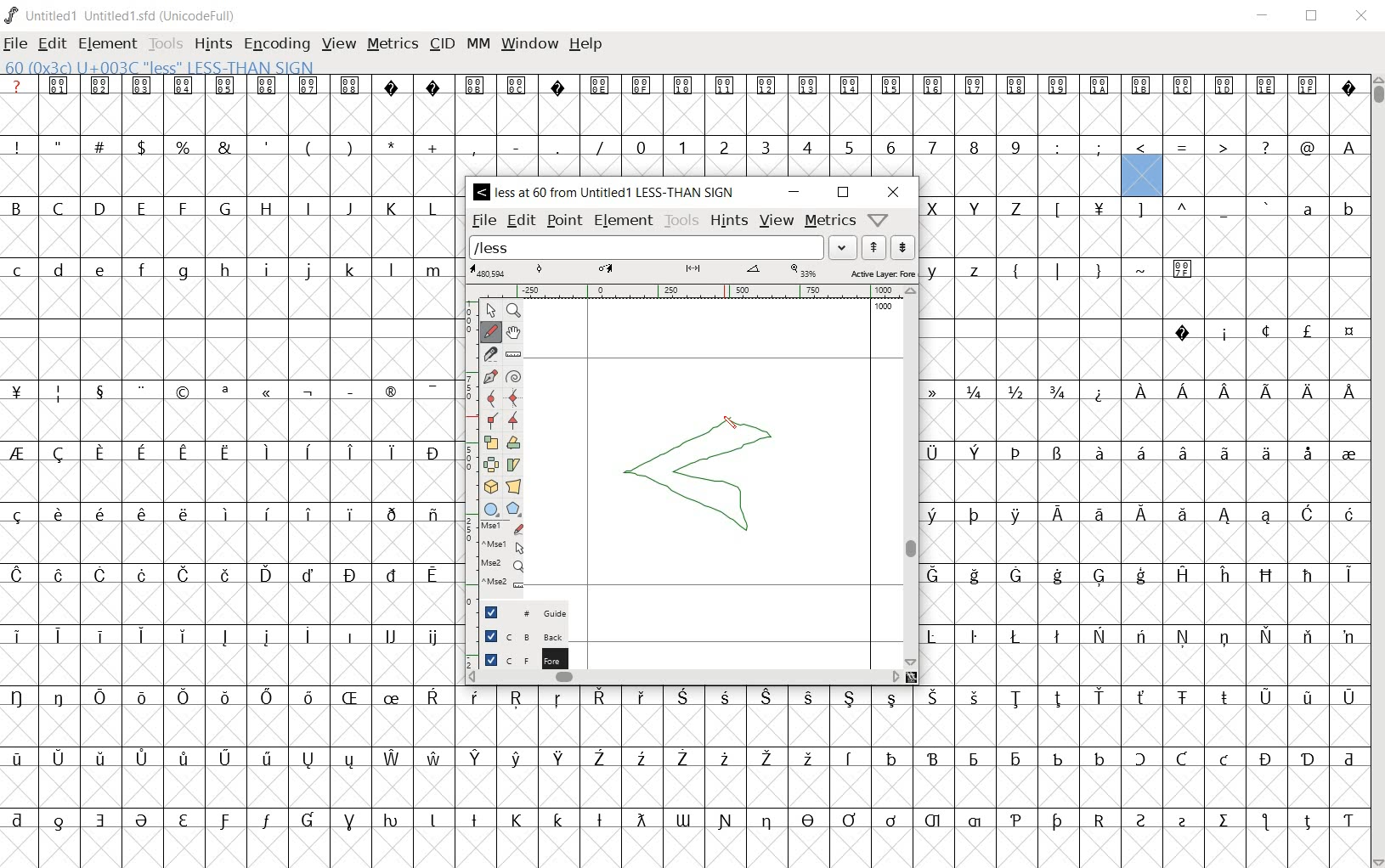 The width and height of the screenshot is (1385, 868). I want to click on , so click(1347, 146).